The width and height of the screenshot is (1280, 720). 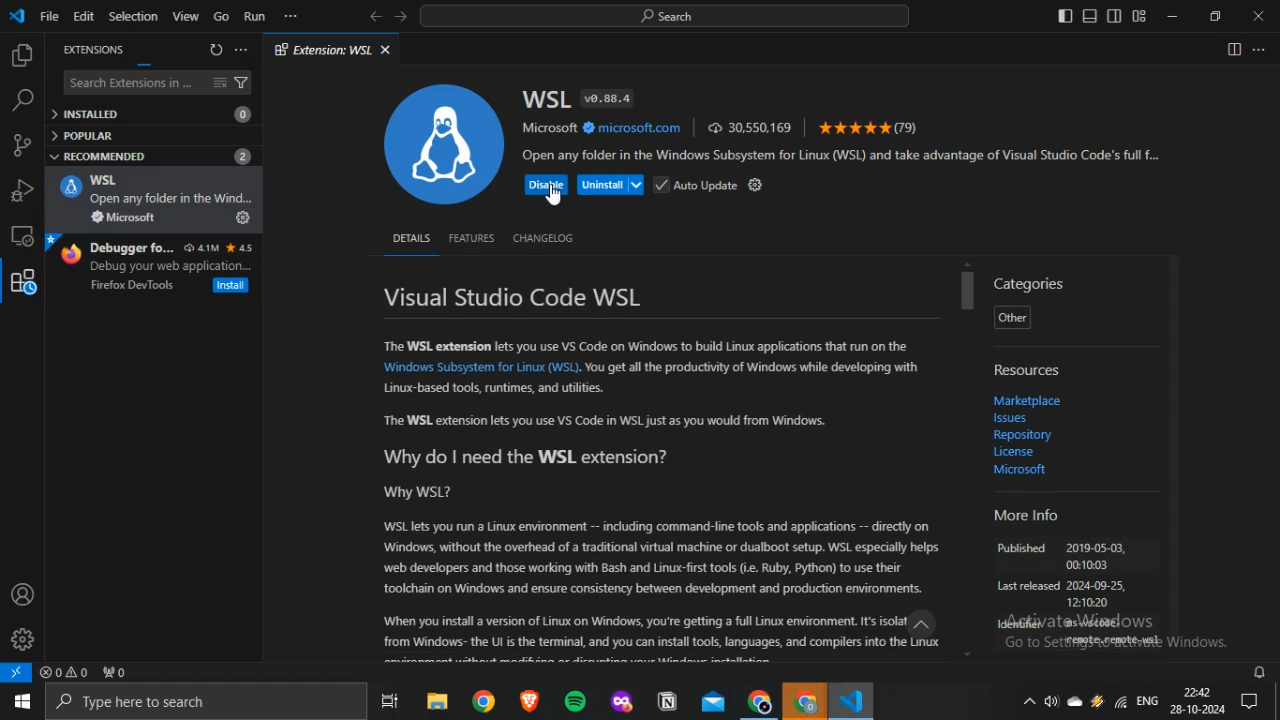 What do you see at coordinates (49, 16) in the screenshot?
I see `File` at bounding box center [49, 16].